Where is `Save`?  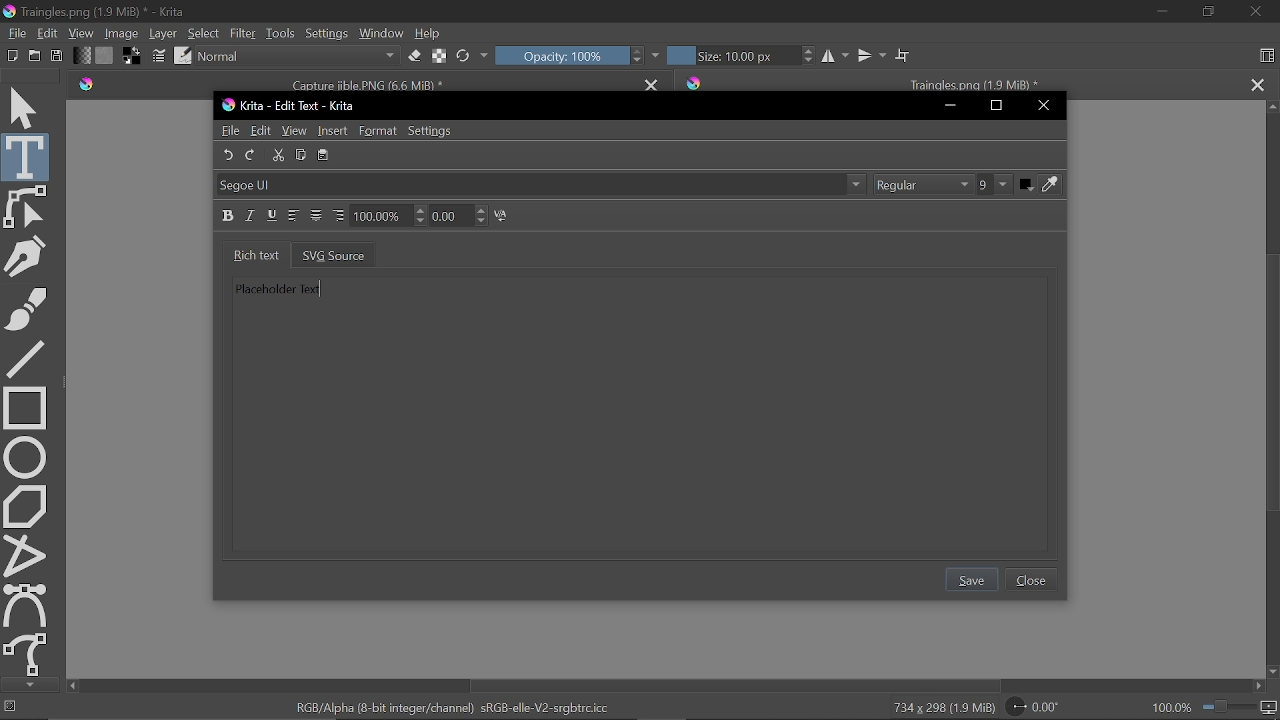
Save is located at coordinates (57, 54).